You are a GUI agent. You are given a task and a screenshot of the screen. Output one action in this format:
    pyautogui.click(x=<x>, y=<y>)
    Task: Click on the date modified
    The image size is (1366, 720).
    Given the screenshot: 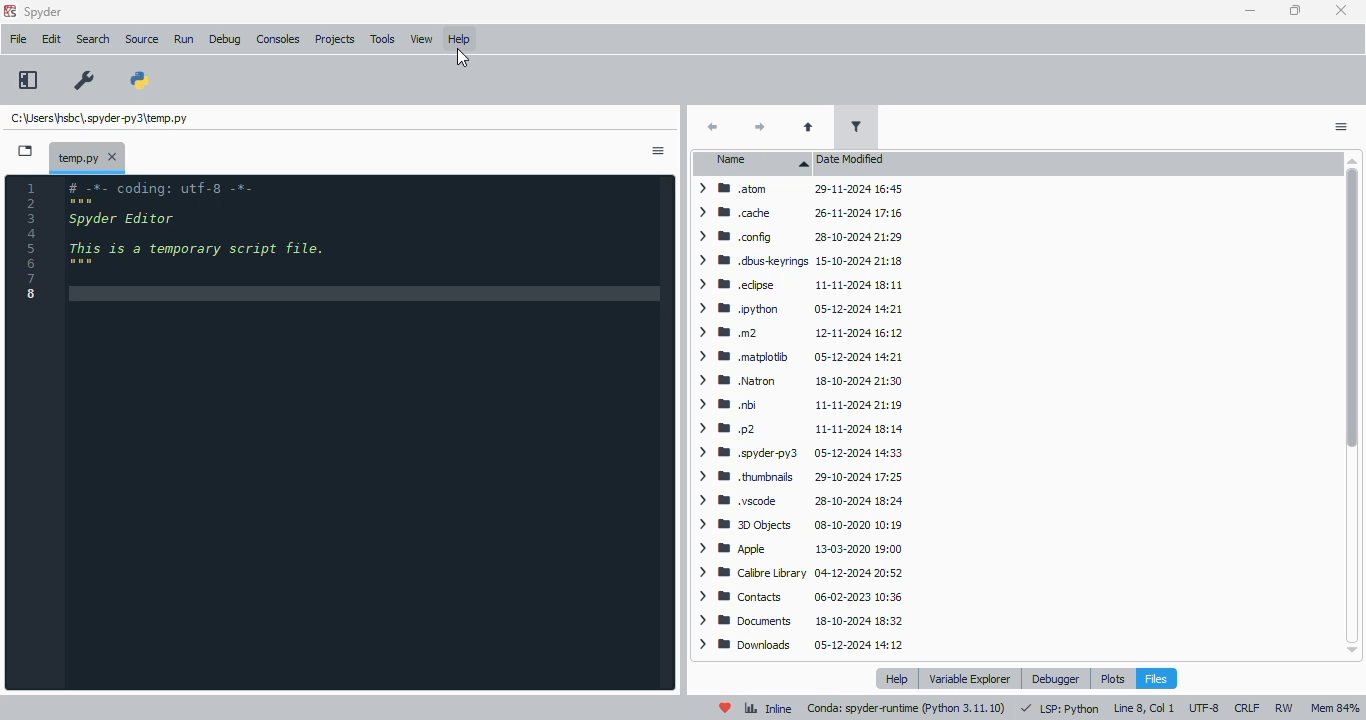 What is the action you would take?
    pyautogui.click(x=851, y=158)
    